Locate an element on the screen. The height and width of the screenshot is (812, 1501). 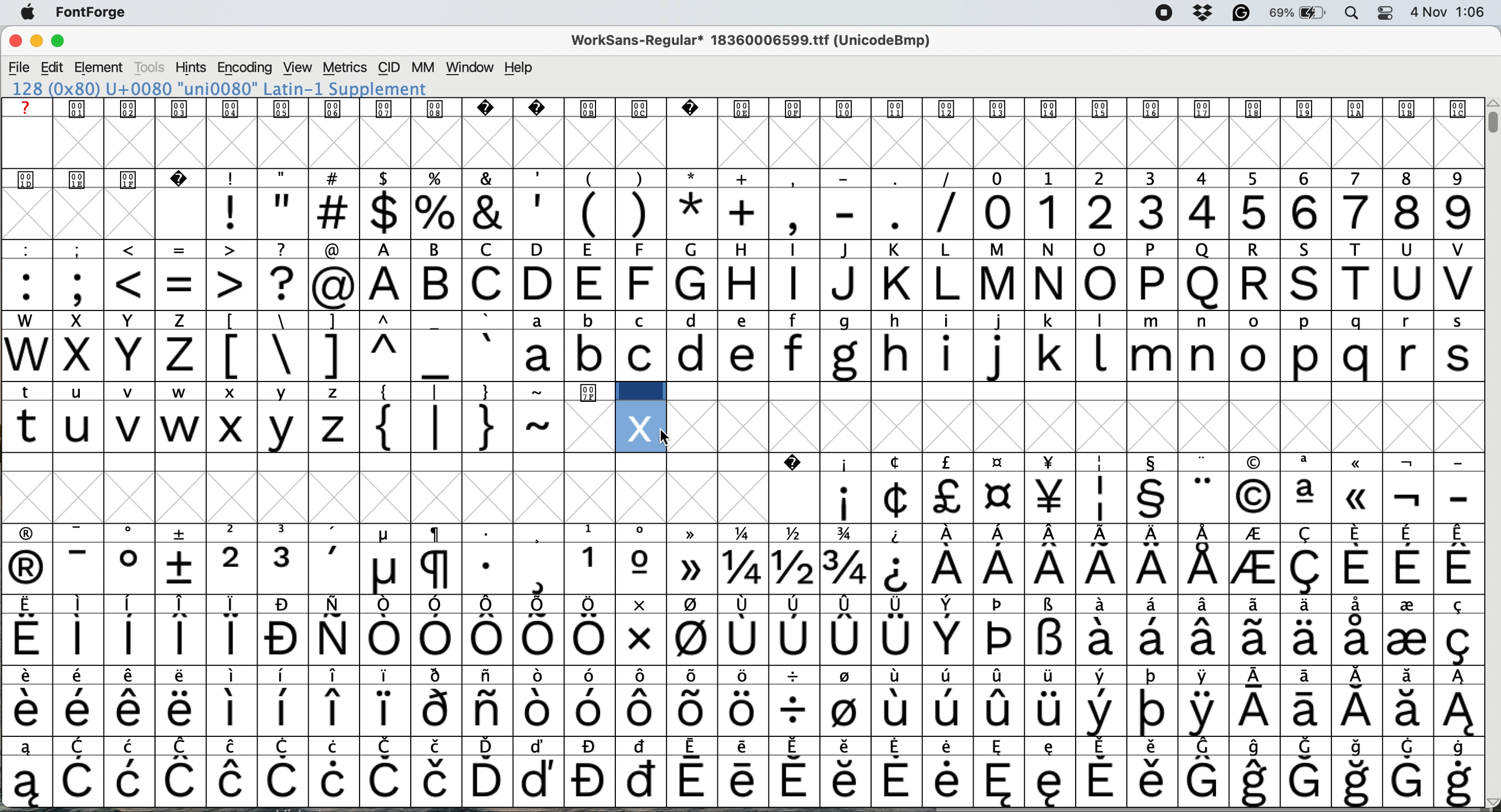
lower case and upper case text and special characters is located at coordinates (745, 318).